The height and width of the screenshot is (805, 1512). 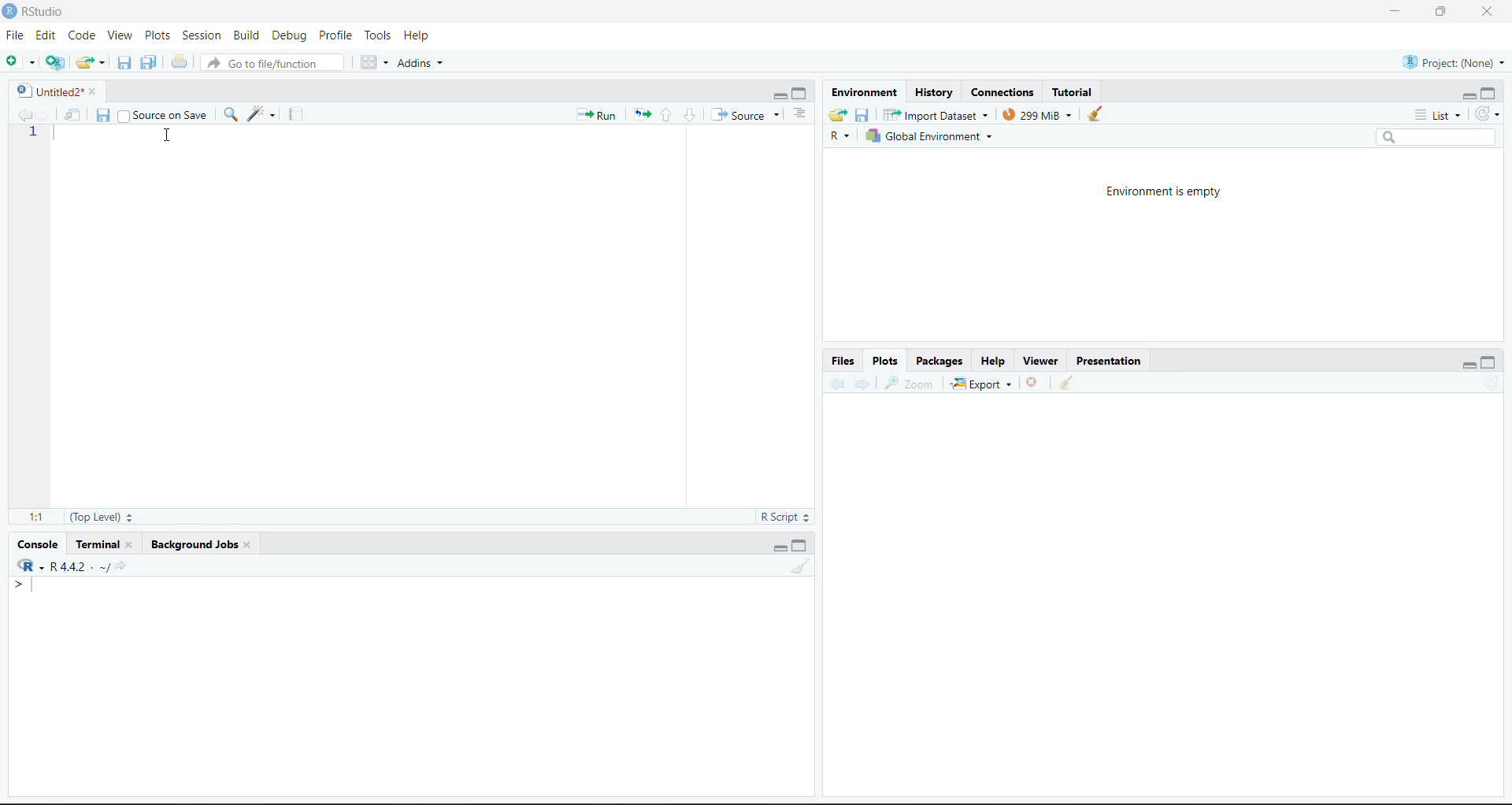 I want to click on View, so click(x=120, y=34).